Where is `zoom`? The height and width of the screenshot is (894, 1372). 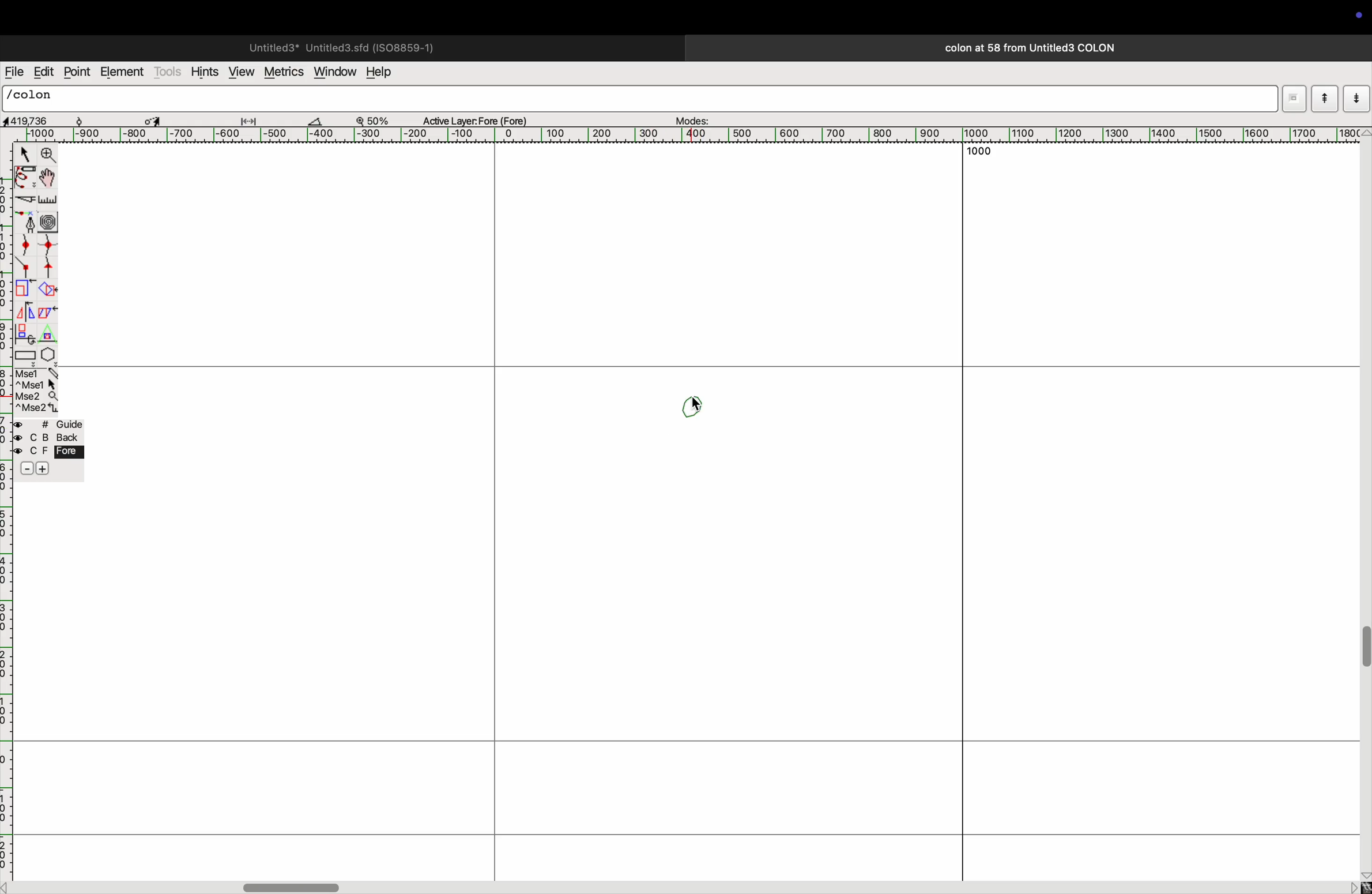 zoom is located at coordinates (49, 155).